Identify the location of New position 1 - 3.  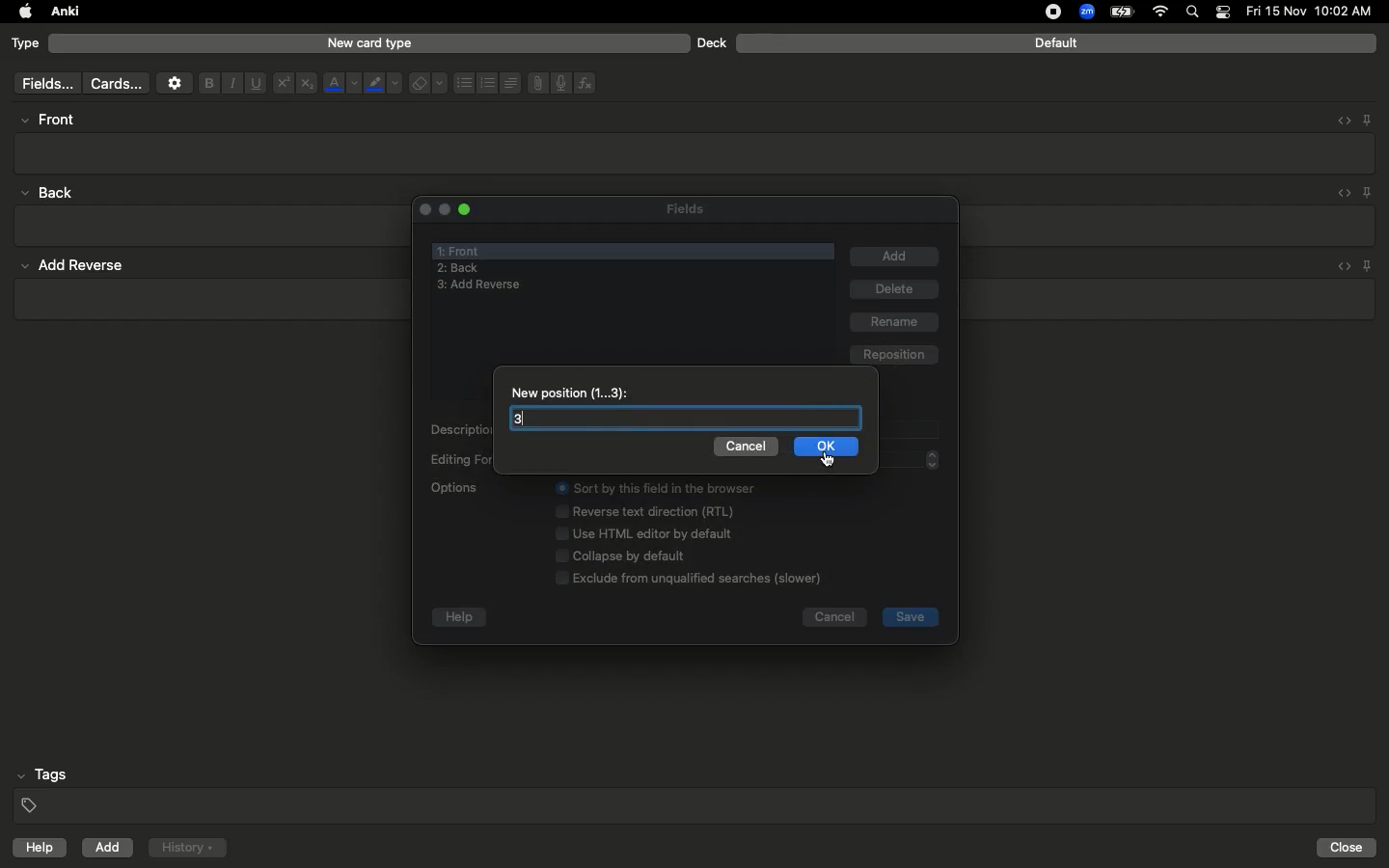
(574, 392).